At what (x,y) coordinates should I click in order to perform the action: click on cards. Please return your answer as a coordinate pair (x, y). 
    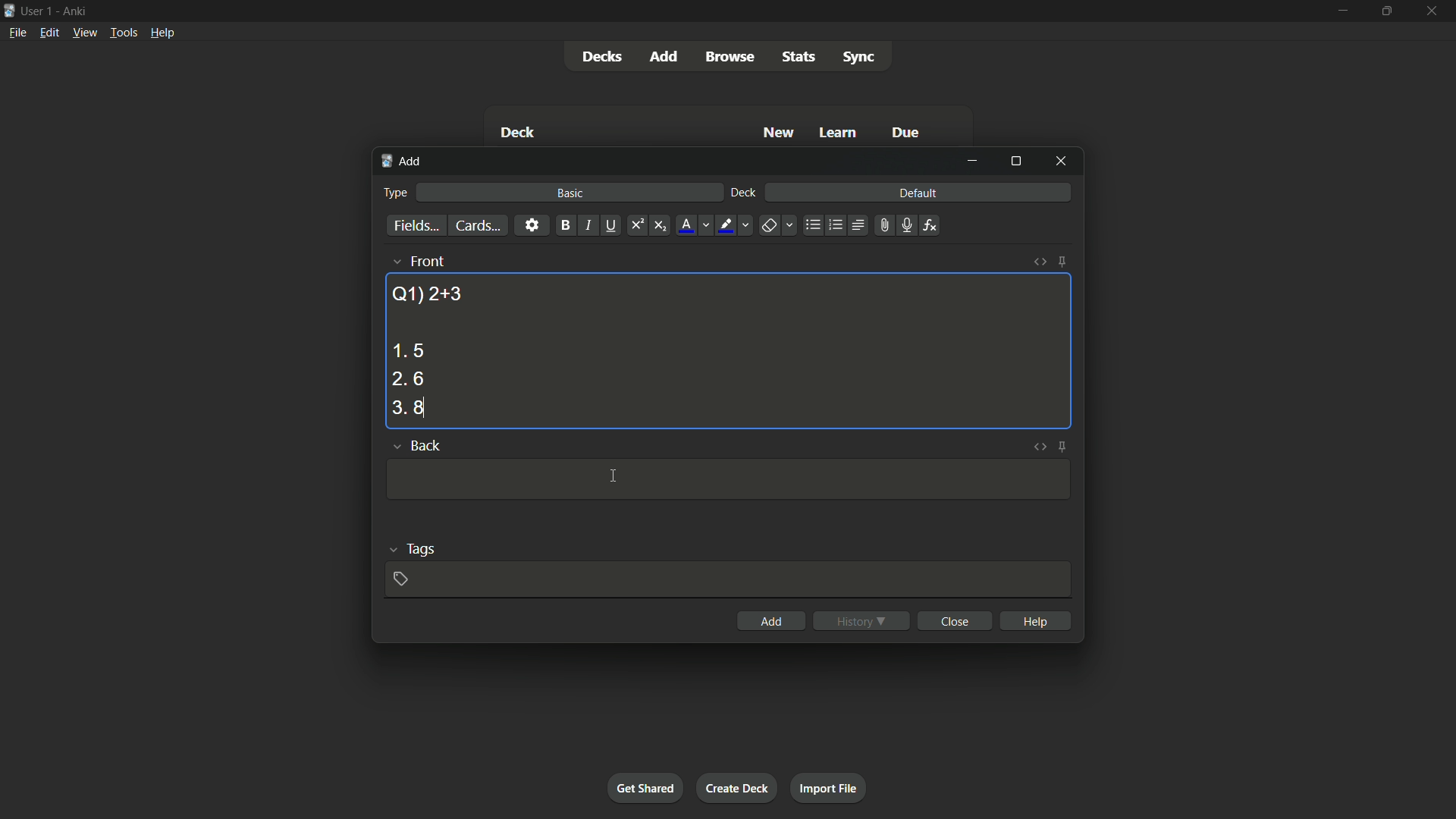
    Looking at the image, I should click on (477, 226).